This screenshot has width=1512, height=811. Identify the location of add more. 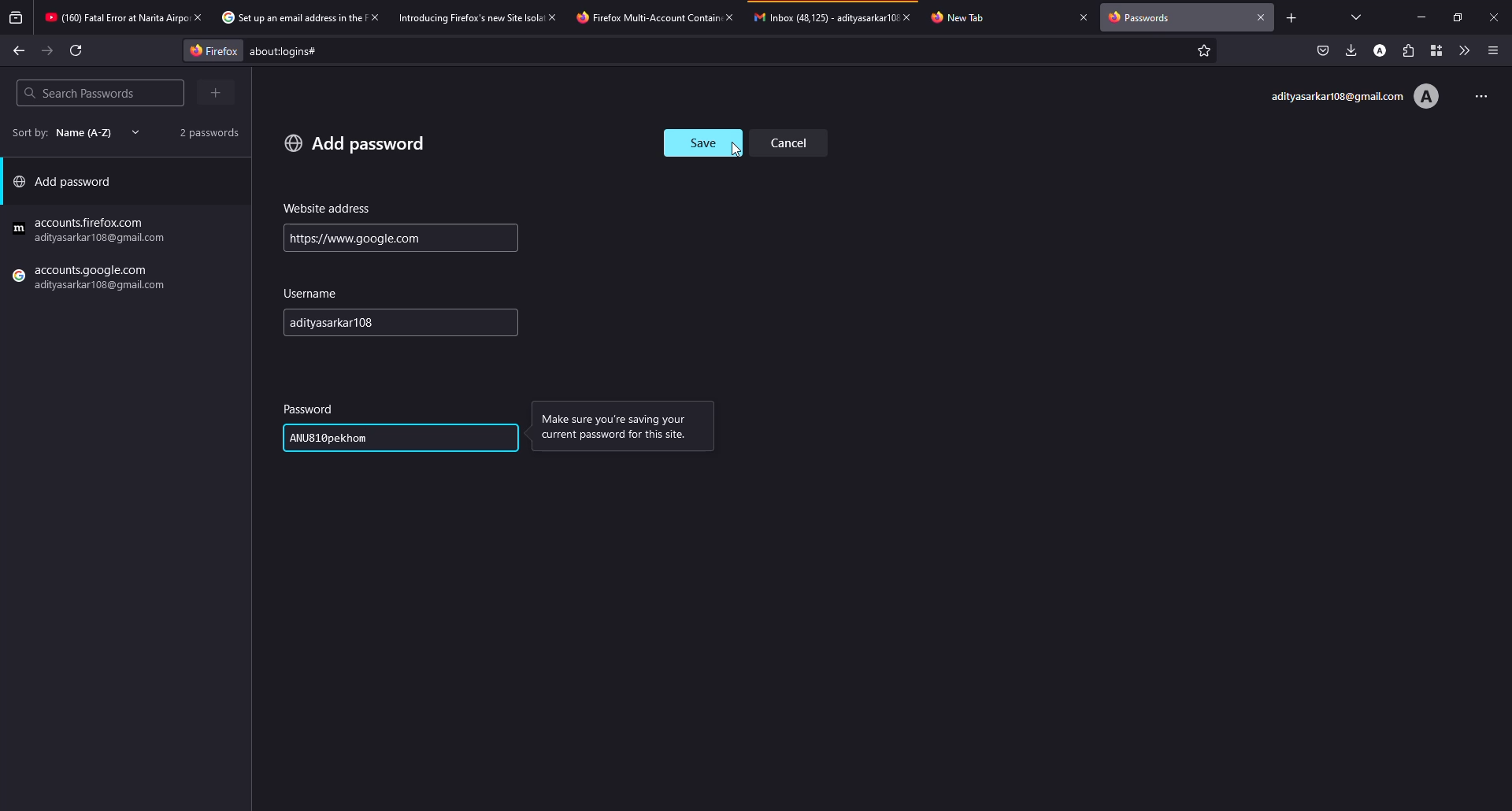
(218, 92).